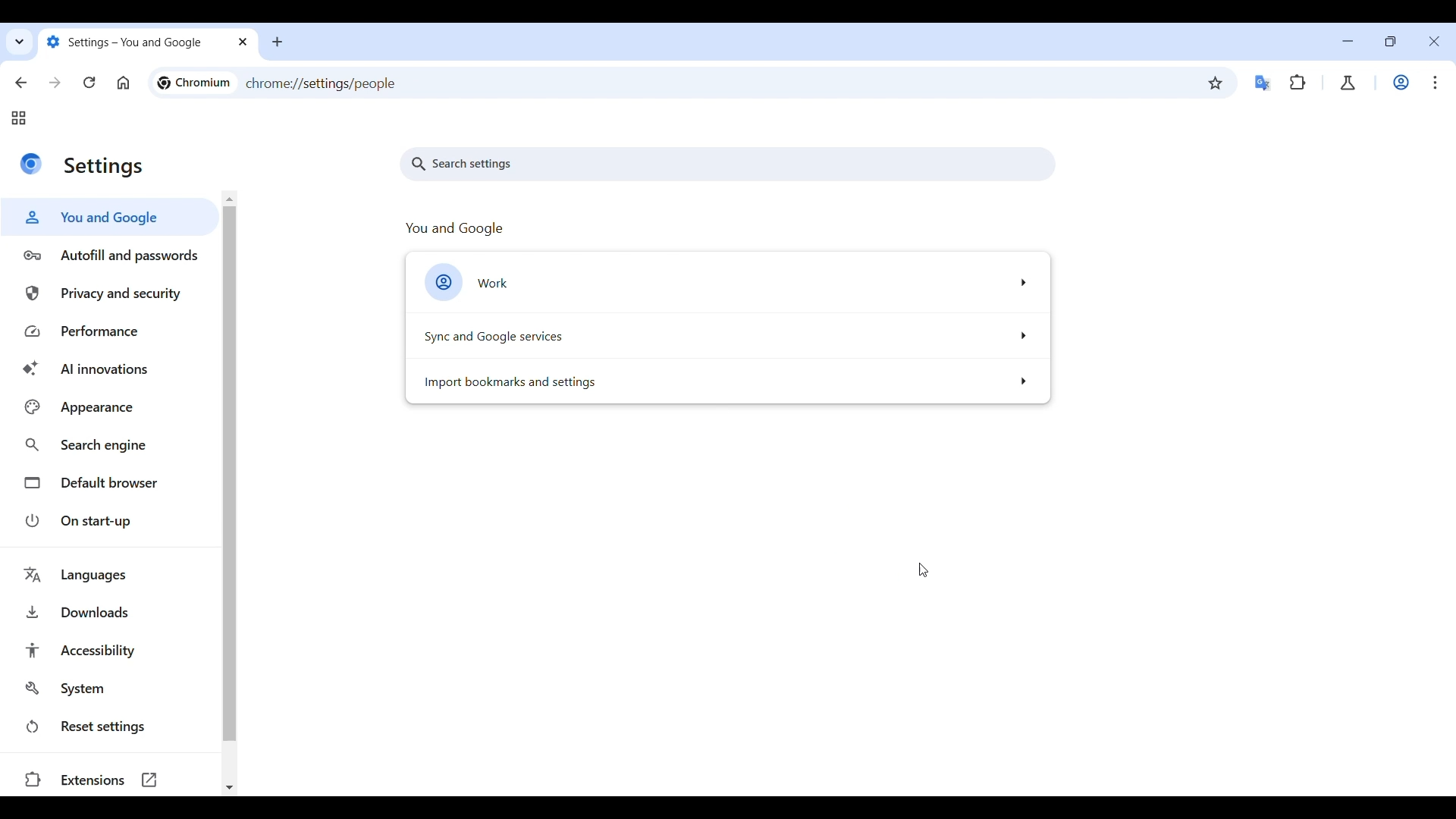 The width and height of the screenshot is (1456, 819). I want to click on Work, so click(1401, 82).